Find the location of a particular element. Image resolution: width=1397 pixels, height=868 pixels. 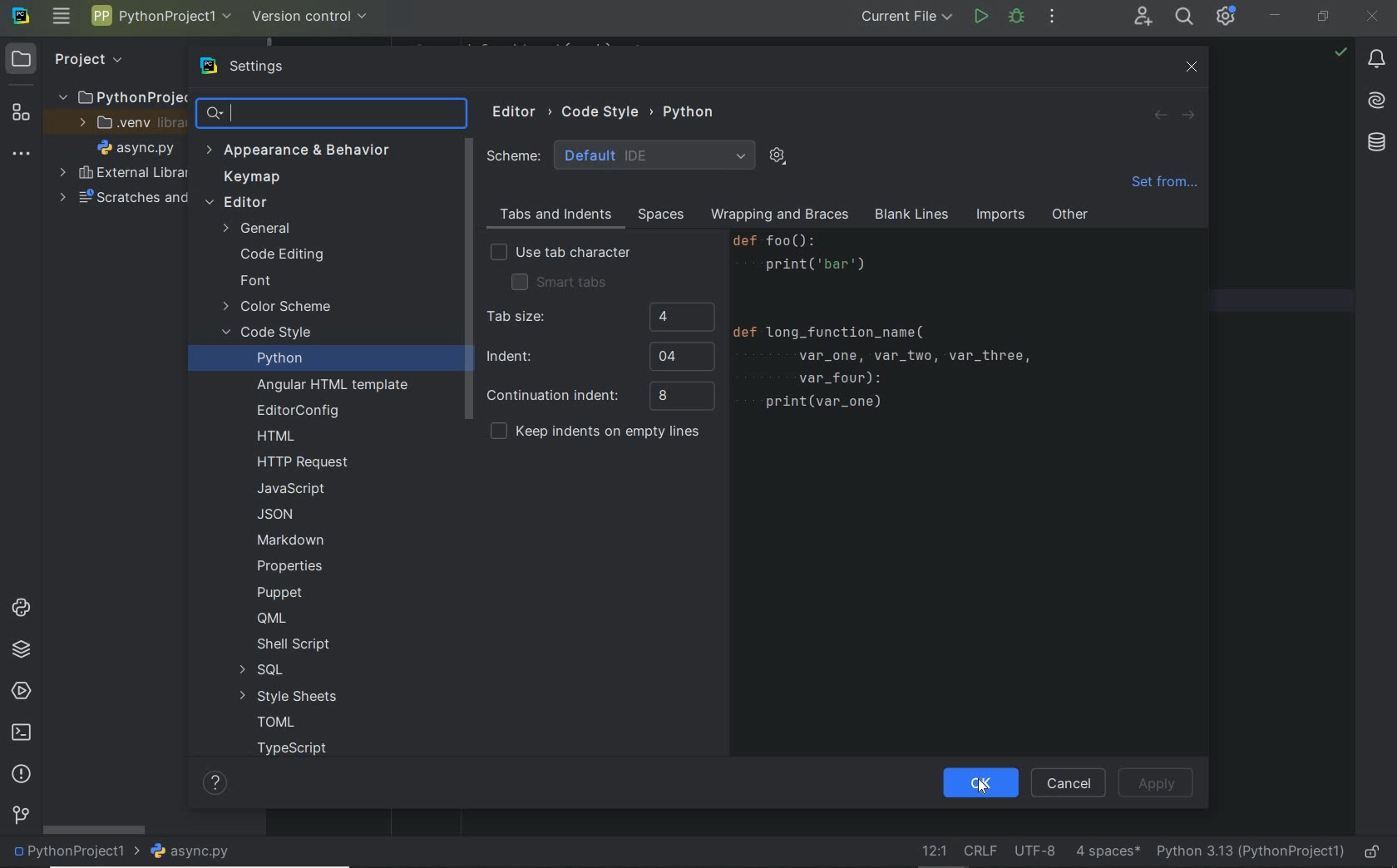

python packages is located at coordinates (24, 652).